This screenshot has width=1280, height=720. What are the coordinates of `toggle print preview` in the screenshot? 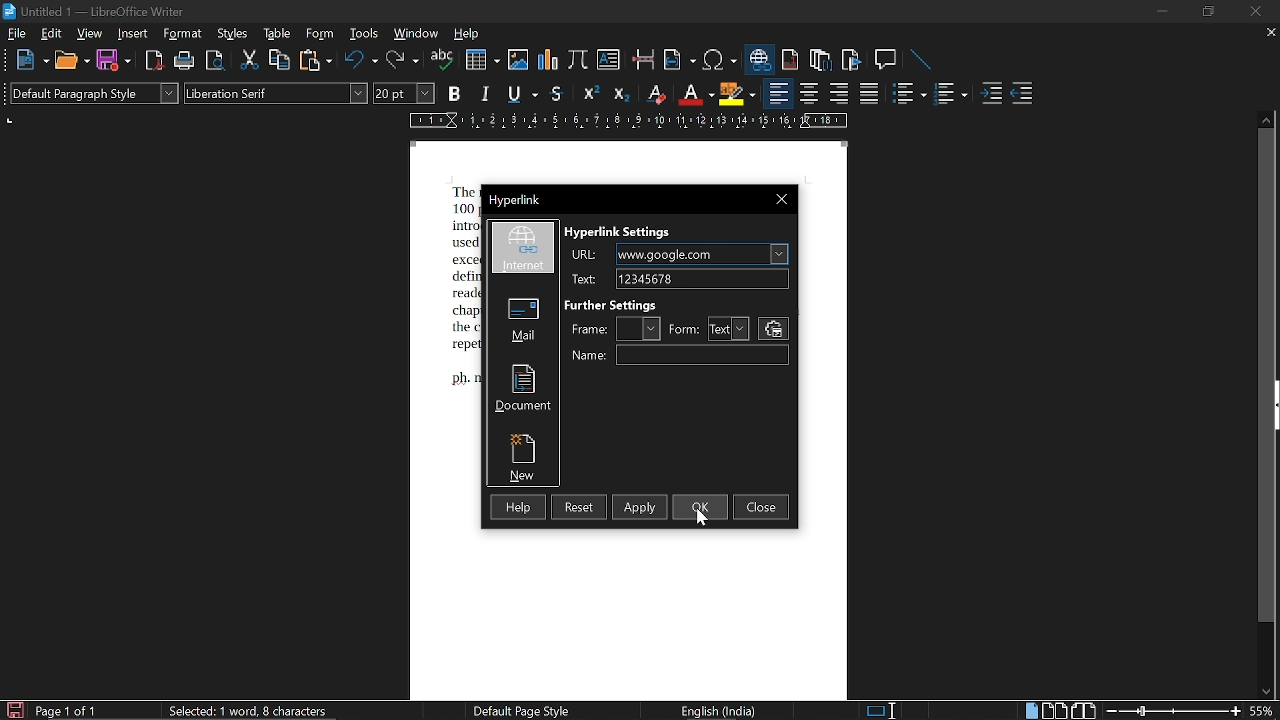 It's located at (214, 60).